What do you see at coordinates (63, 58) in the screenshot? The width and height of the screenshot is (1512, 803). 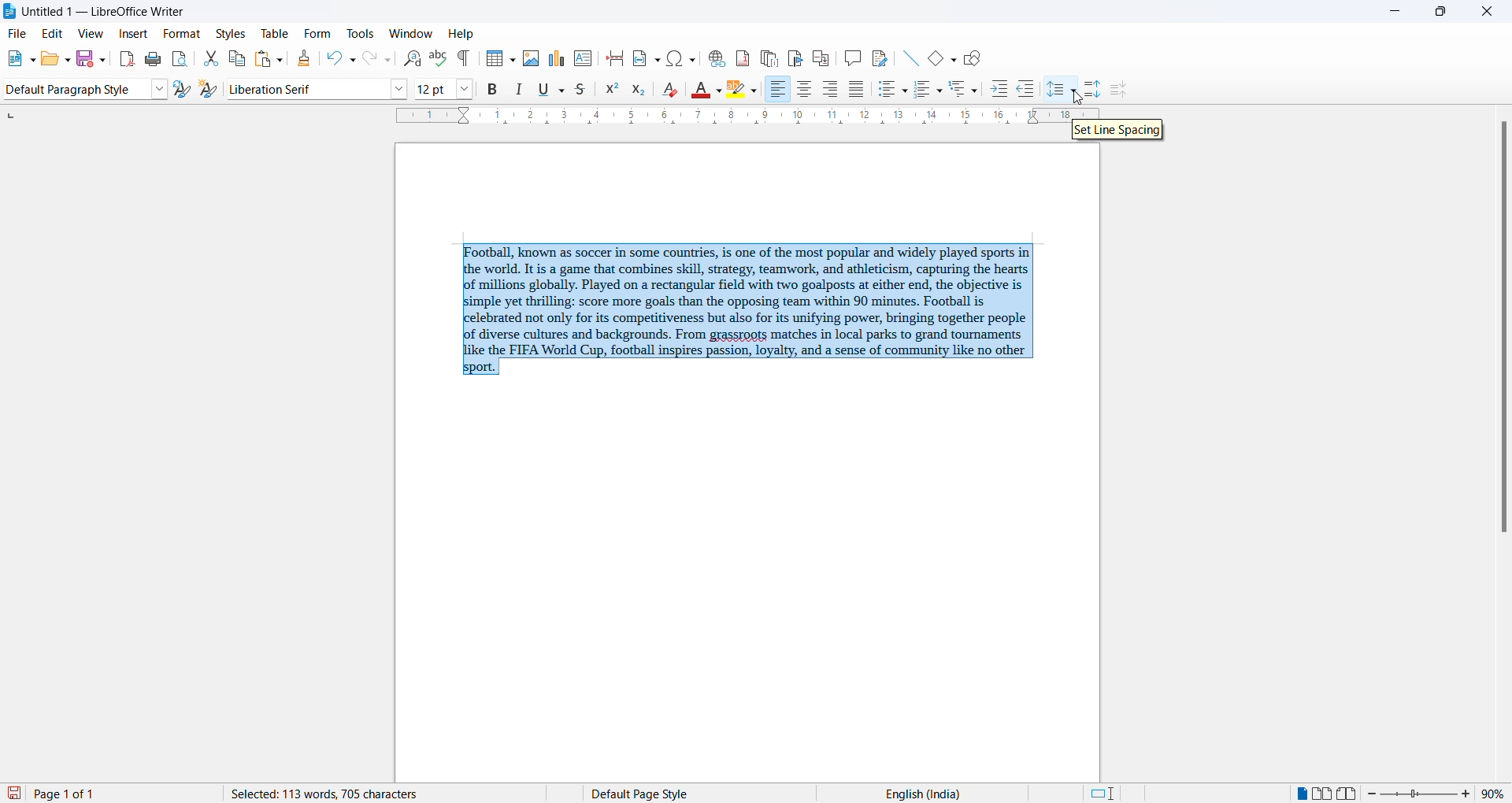 I see `open options` at bounding box center [63, 58].